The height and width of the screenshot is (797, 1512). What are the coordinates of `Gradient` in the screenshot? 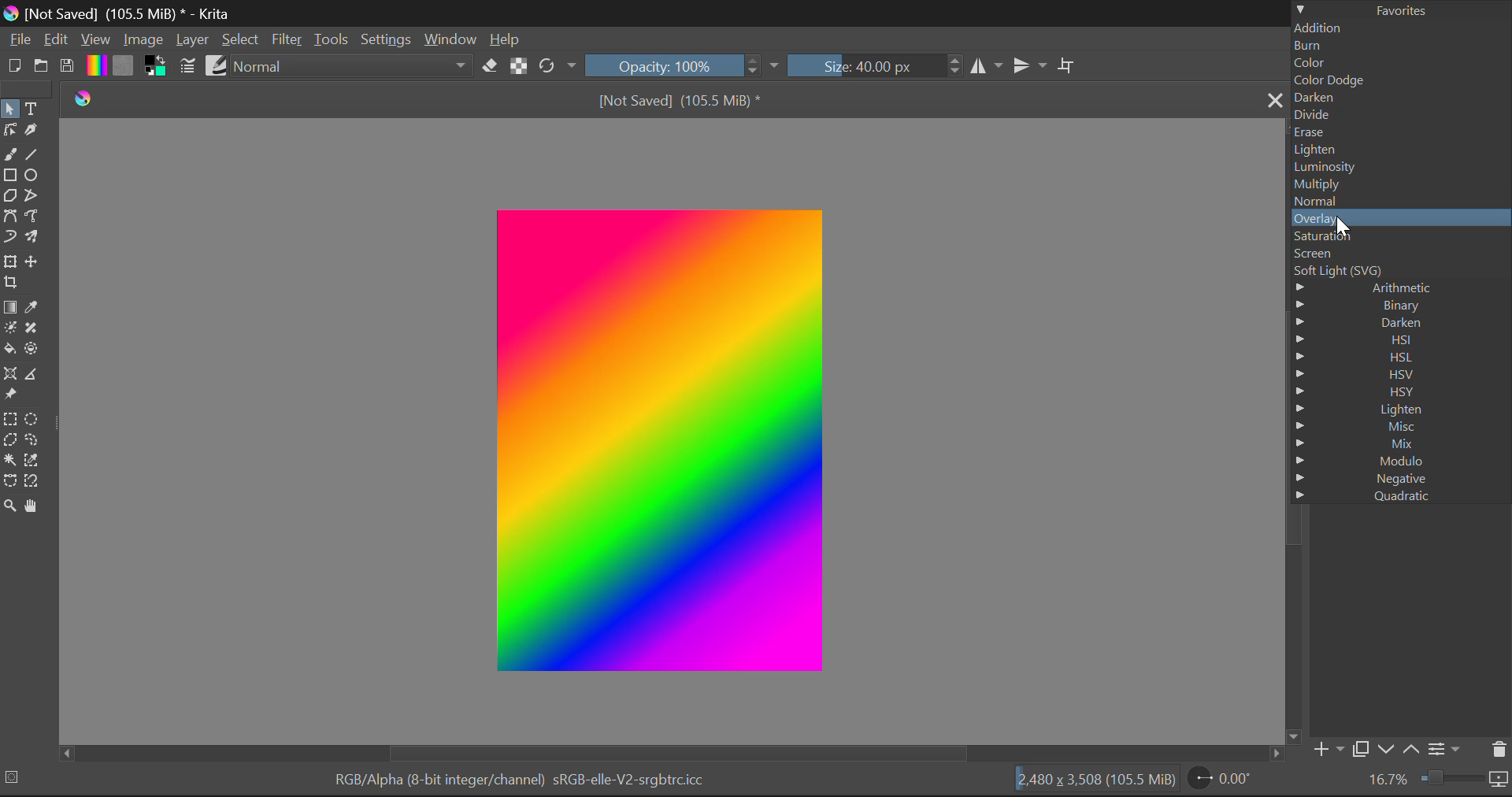 It's located at (96, 66).